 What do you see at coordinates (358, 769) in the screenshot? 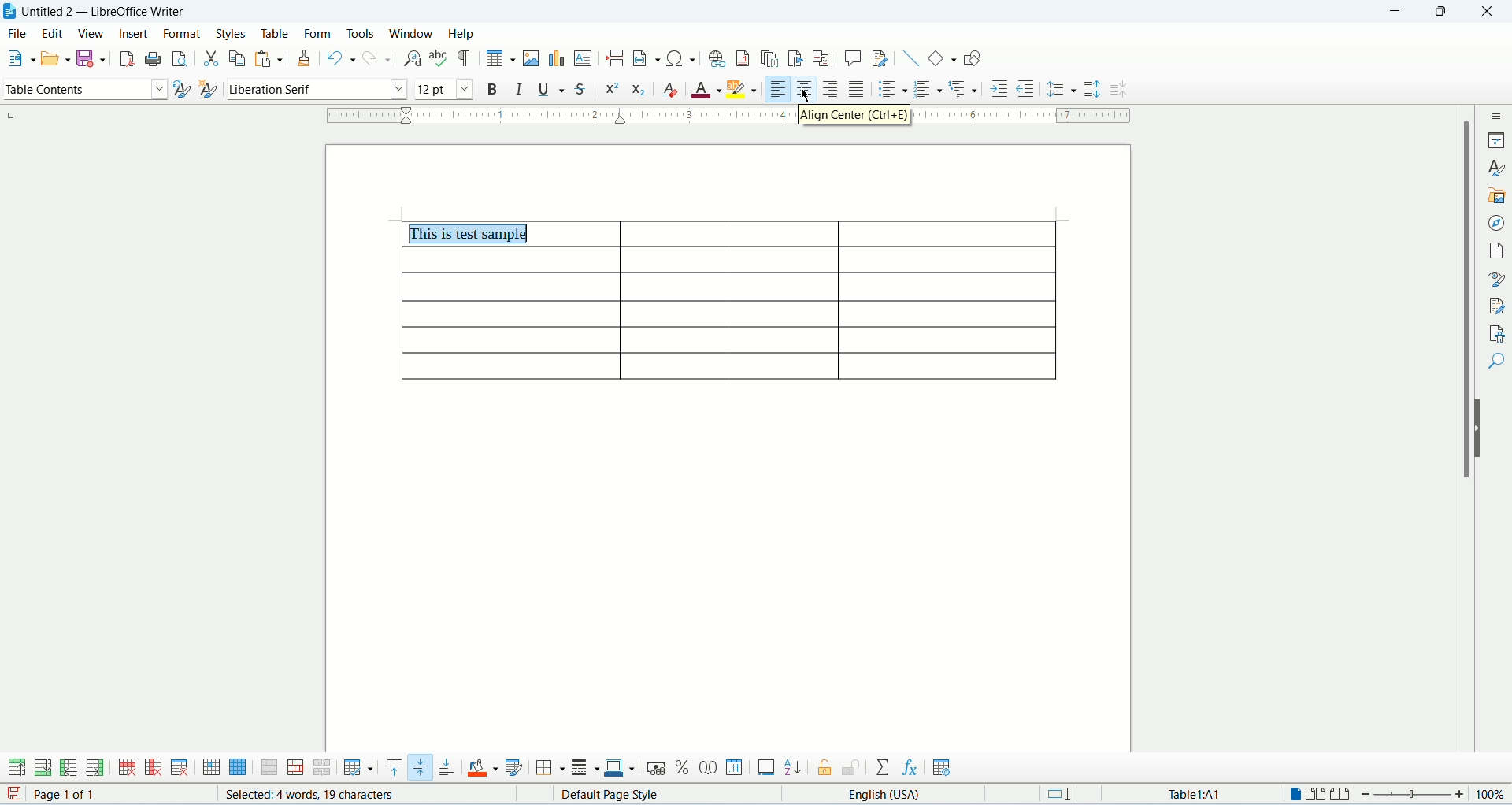
I see `optimize size` at bounding box center [358, 769].